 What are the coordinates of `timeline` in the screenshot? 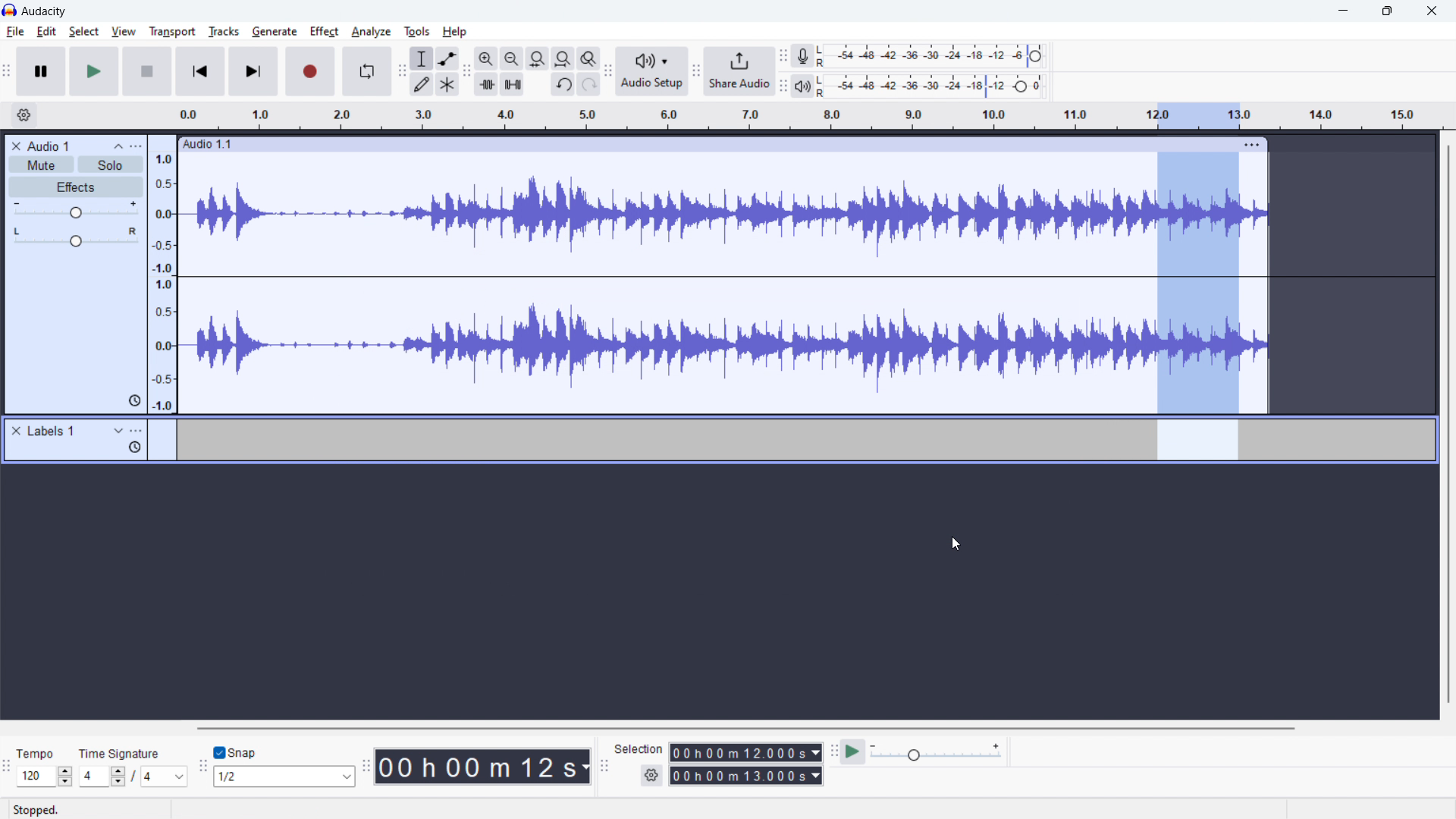 It's located at (724, 594).